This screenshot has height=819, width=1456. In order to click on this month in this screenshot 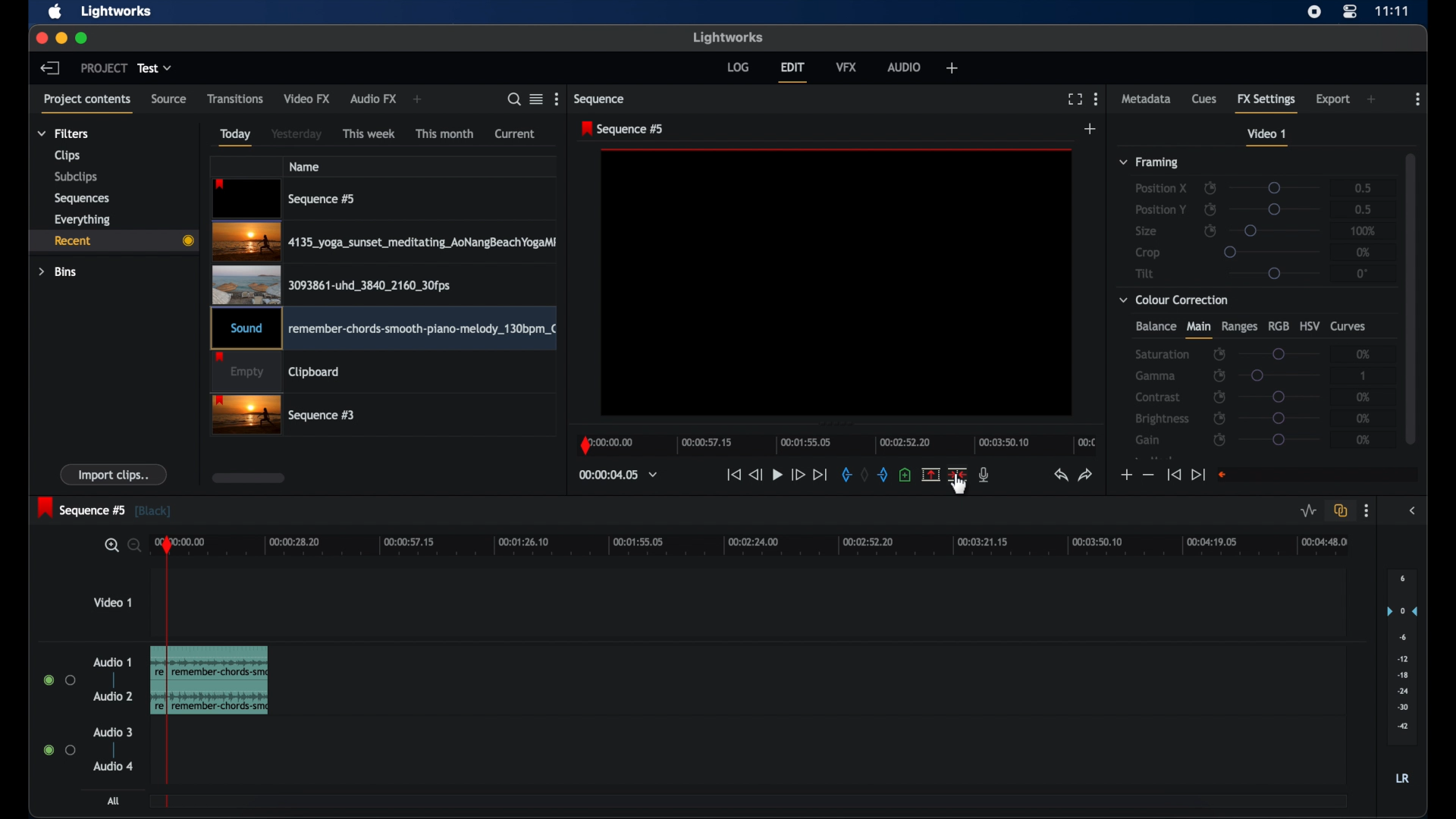, I will do `click(446, 133)`.